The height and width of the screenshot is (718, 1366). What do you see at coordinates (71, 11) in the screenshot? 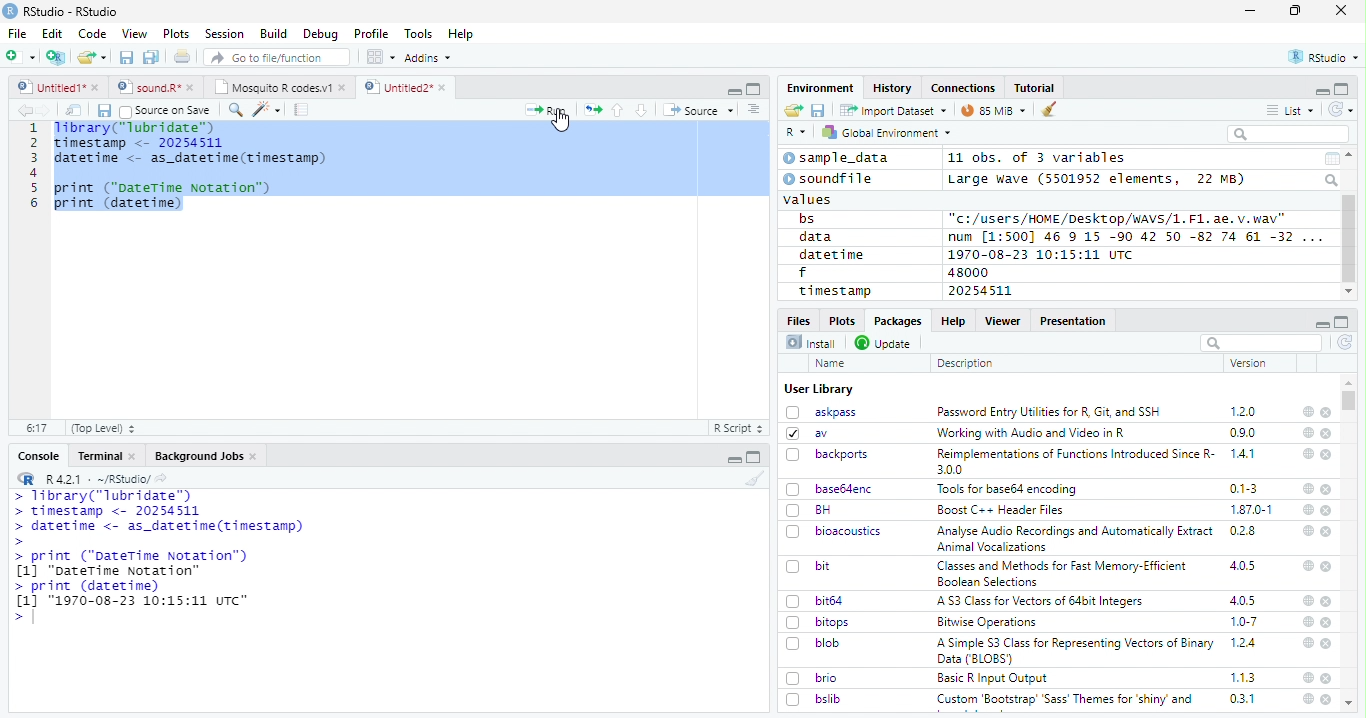
I see `RStudio - RStudio` at bounding box center [71, 11].